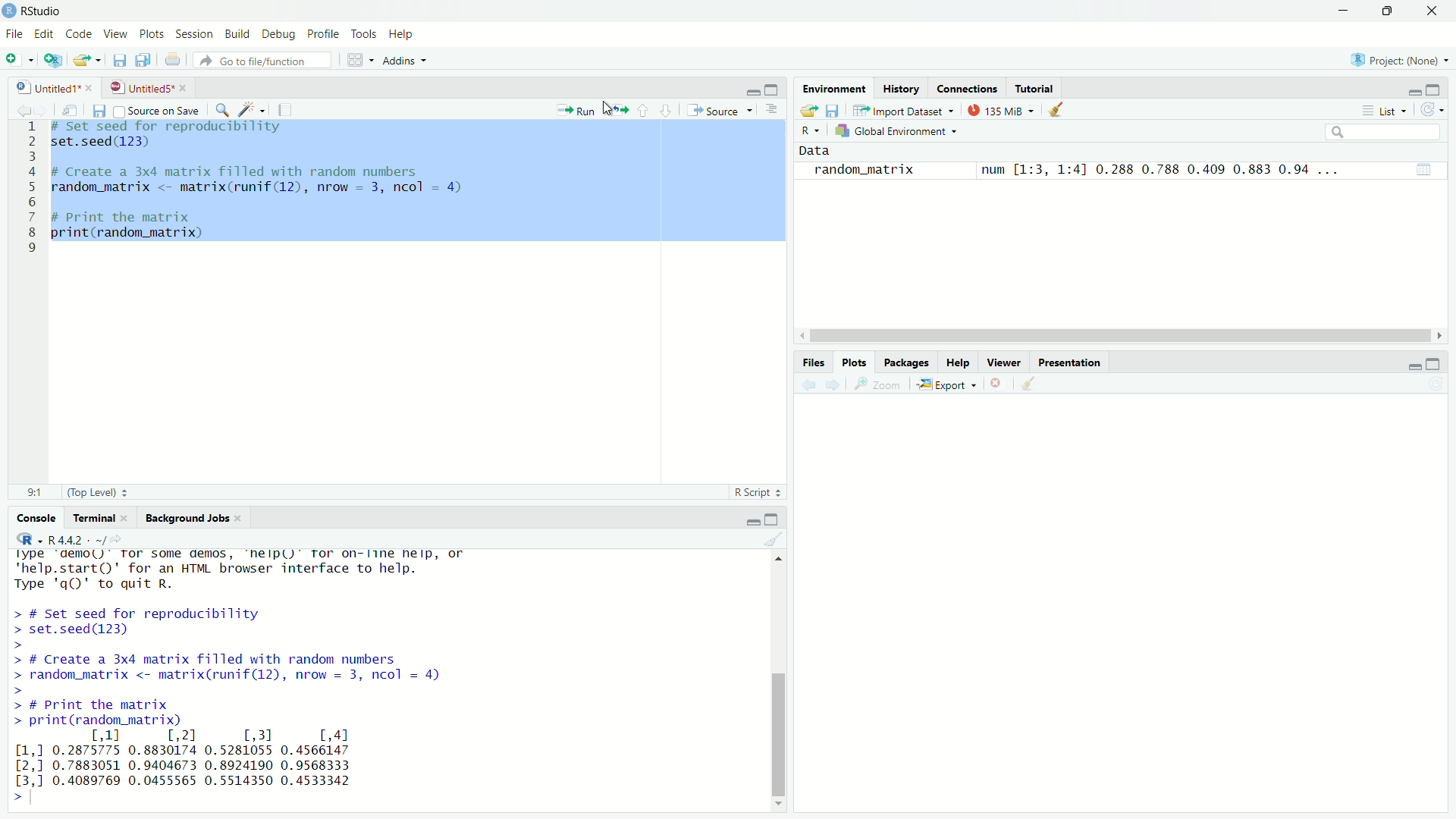 This screenshot has width=1456, height=819. What do you see at coordinates (1073, 364) in the screenshot?
I see `Presentation` at bounding box center [1073, 364].